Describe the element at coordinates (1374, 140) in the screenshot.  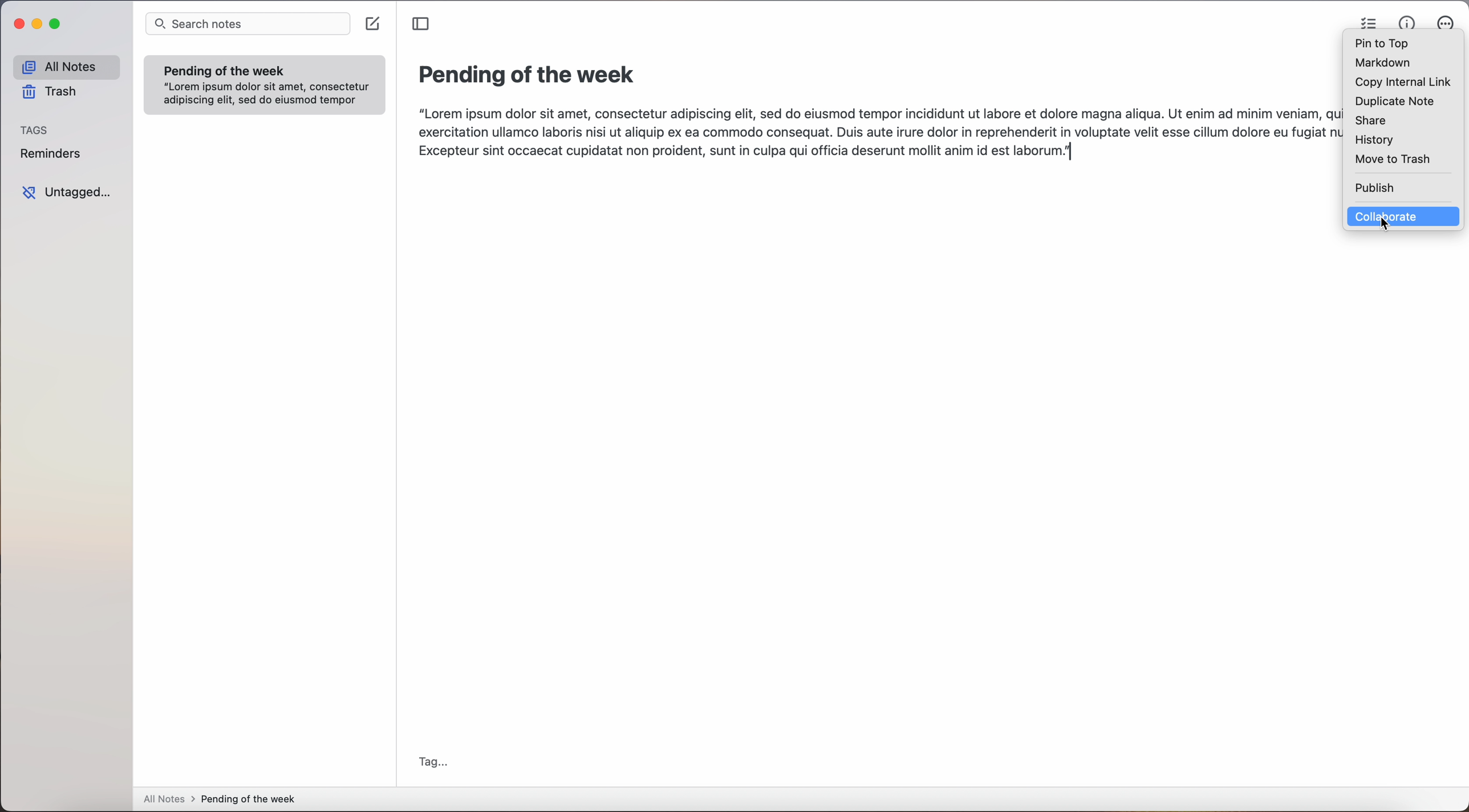
I see `history` at that location.